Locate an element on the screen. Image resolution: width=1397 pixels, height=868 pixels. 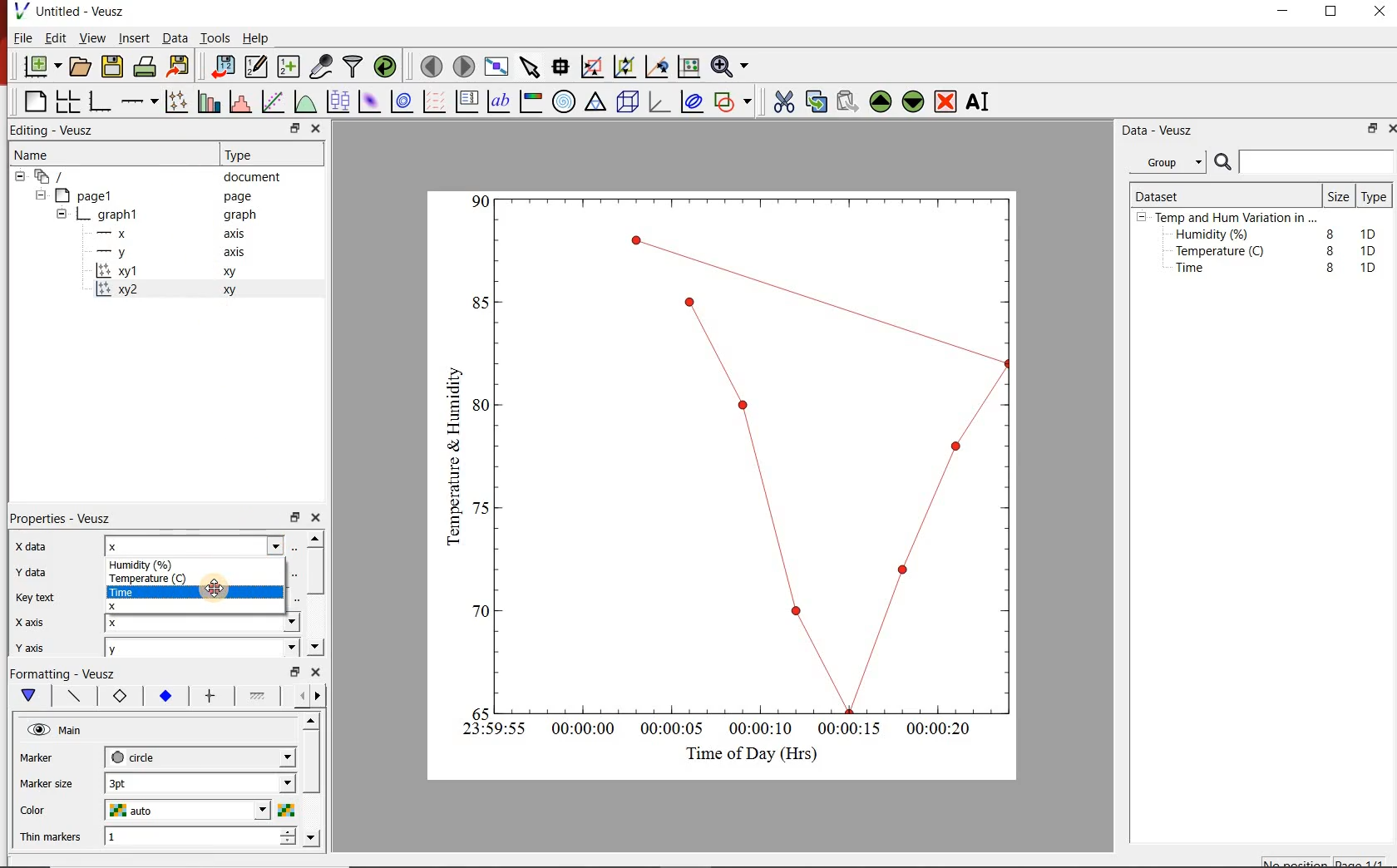
minimize is located at coordinates (1289, 12).